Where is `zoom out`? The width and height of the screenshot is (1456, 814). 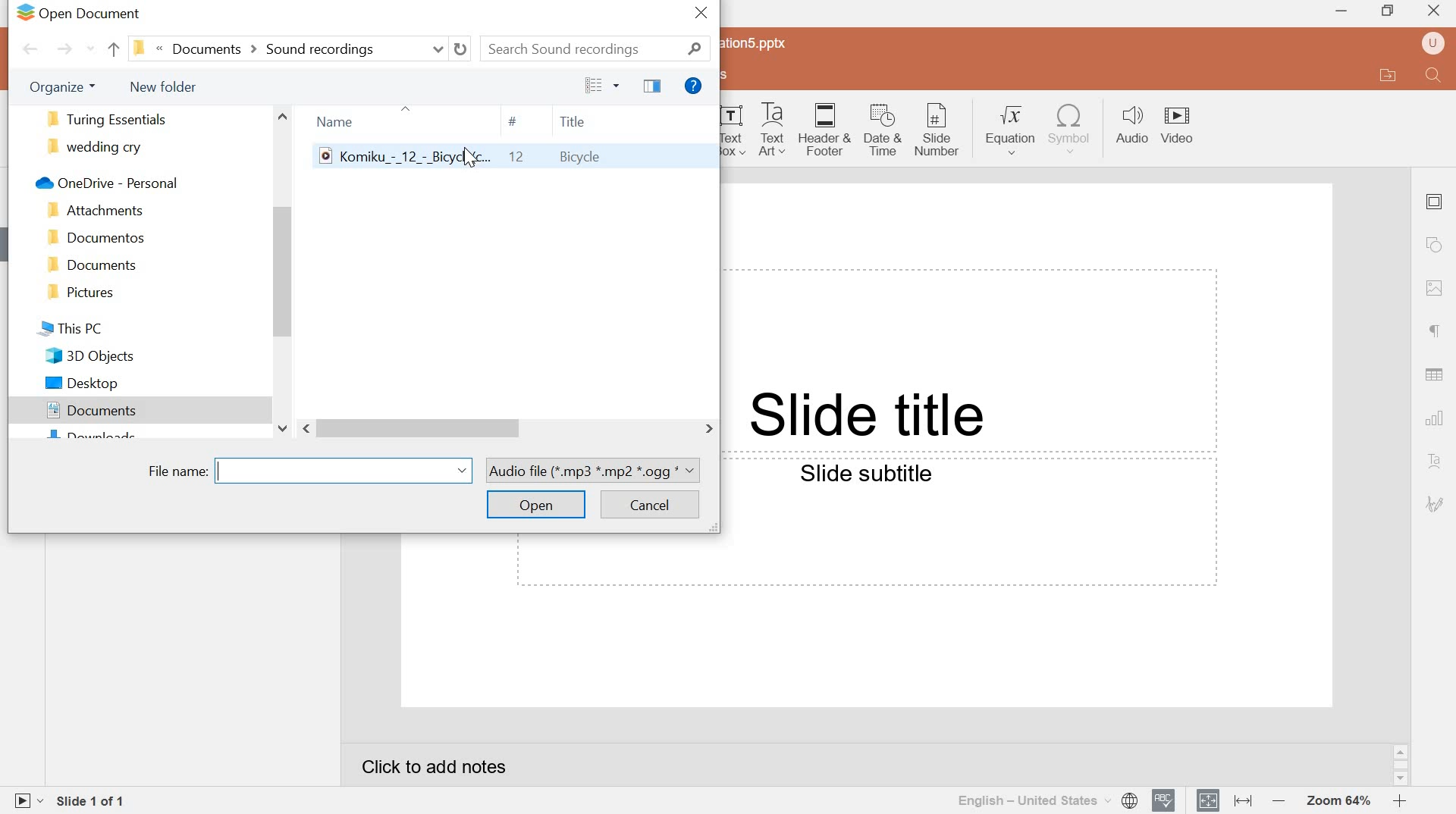 zoom out is located at coordinates (1276, 800).